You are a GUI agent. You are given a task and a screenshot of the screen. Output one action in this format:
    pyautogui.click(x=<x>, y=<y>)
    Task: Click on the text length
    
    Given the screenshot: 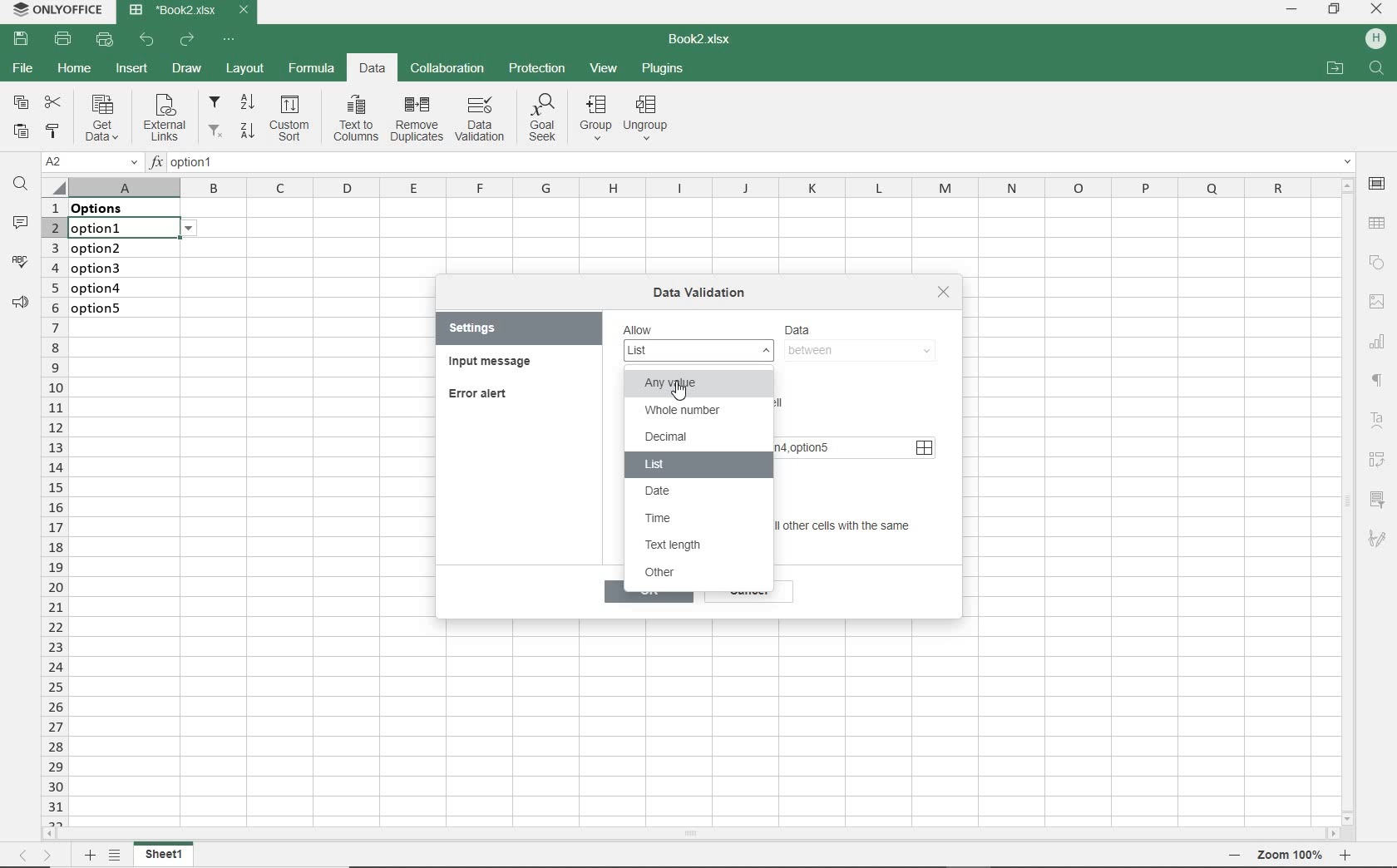 What is the action you would take?
    pyautogui.click(x=679, y=545)
    